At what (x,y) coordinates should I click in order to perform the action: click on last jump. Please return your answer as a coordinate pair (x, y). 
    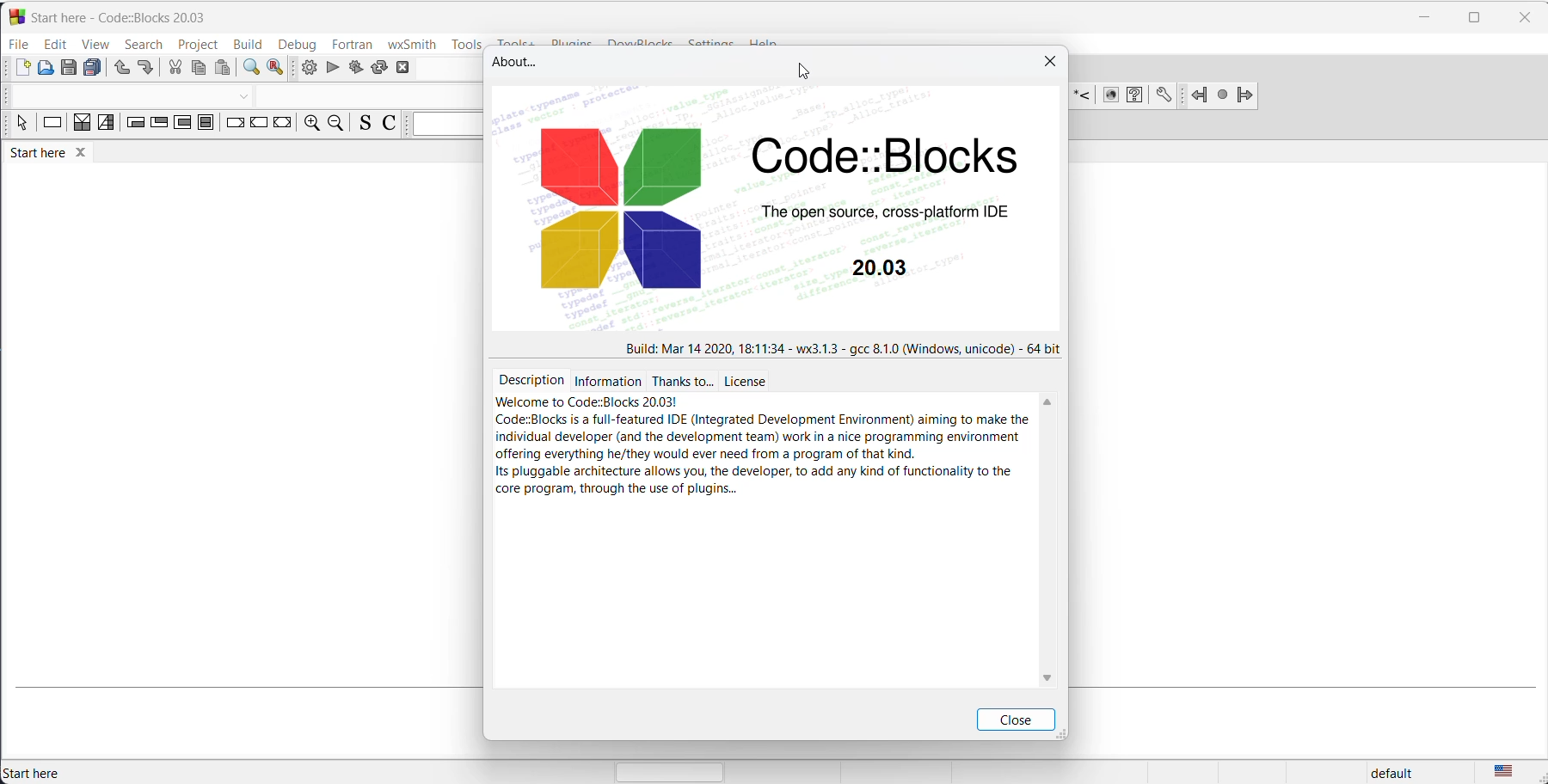
    Looking at the image, I should click on (1221, 94).